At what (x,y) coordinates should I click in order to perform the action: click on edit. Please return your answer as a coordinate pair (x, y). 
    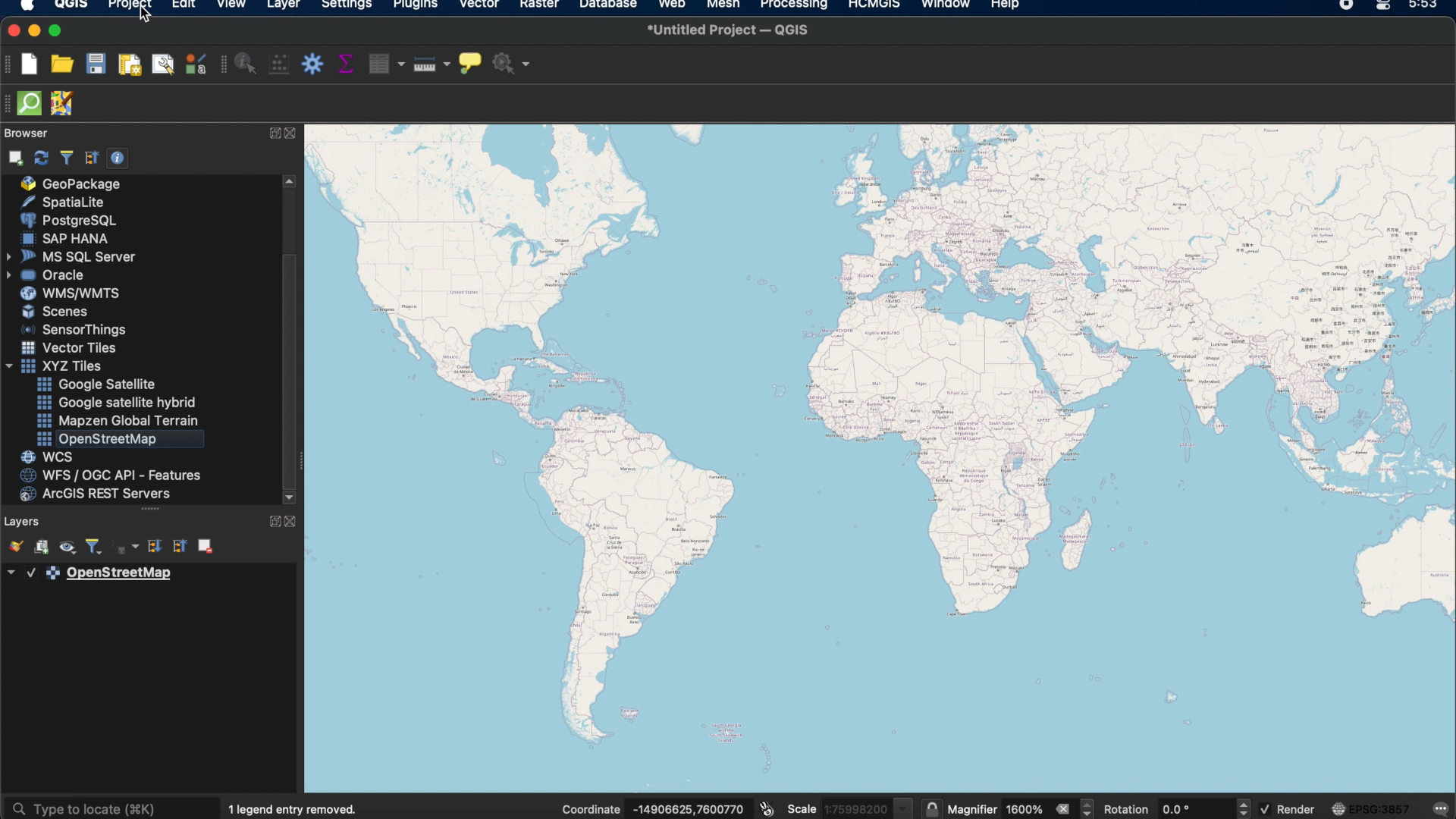
    Looking at the image, I should click on (184, 6).